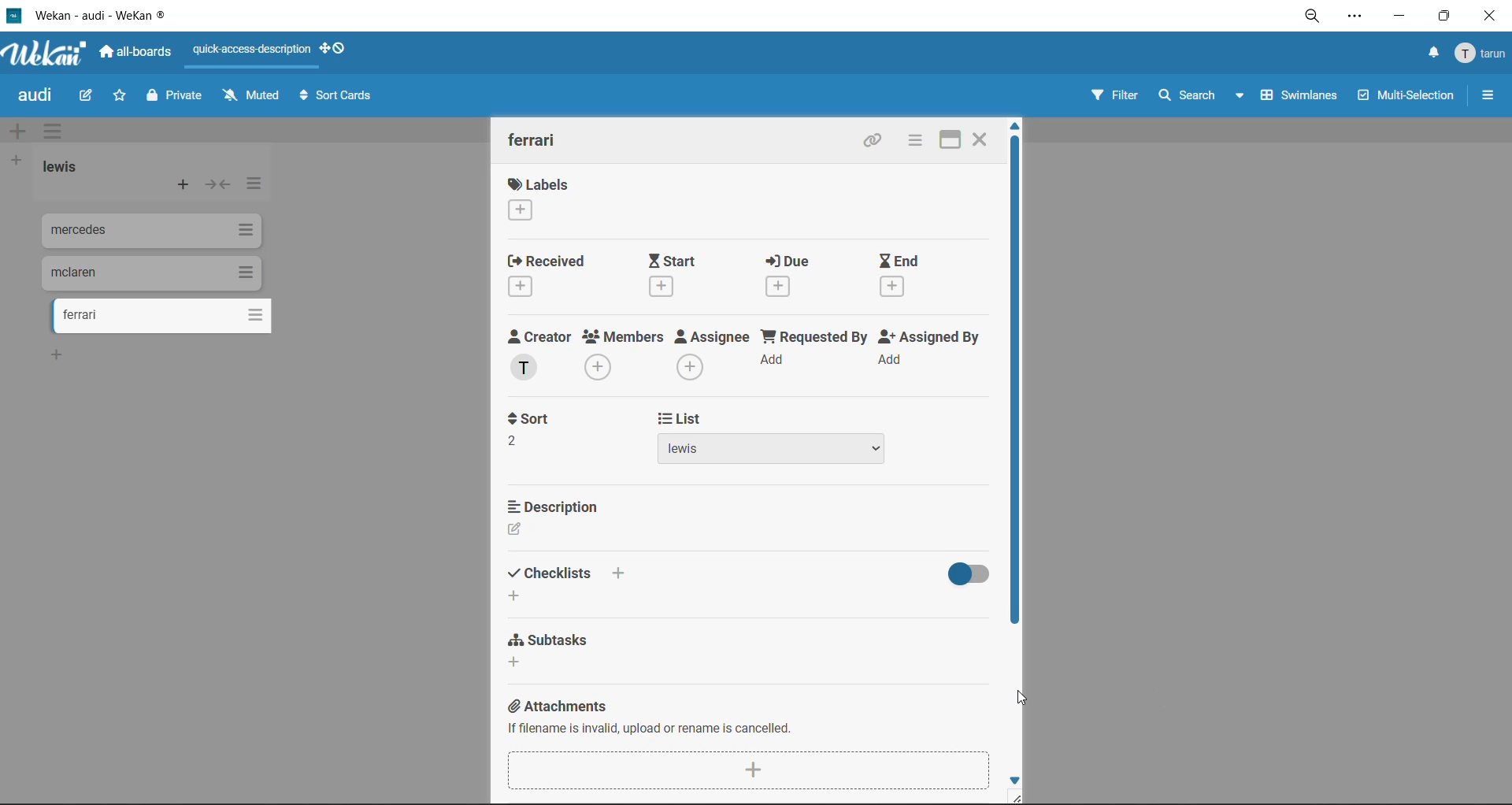 This screenshot has height=805, width=1512. I want to click on filter, so click(1116, 95).